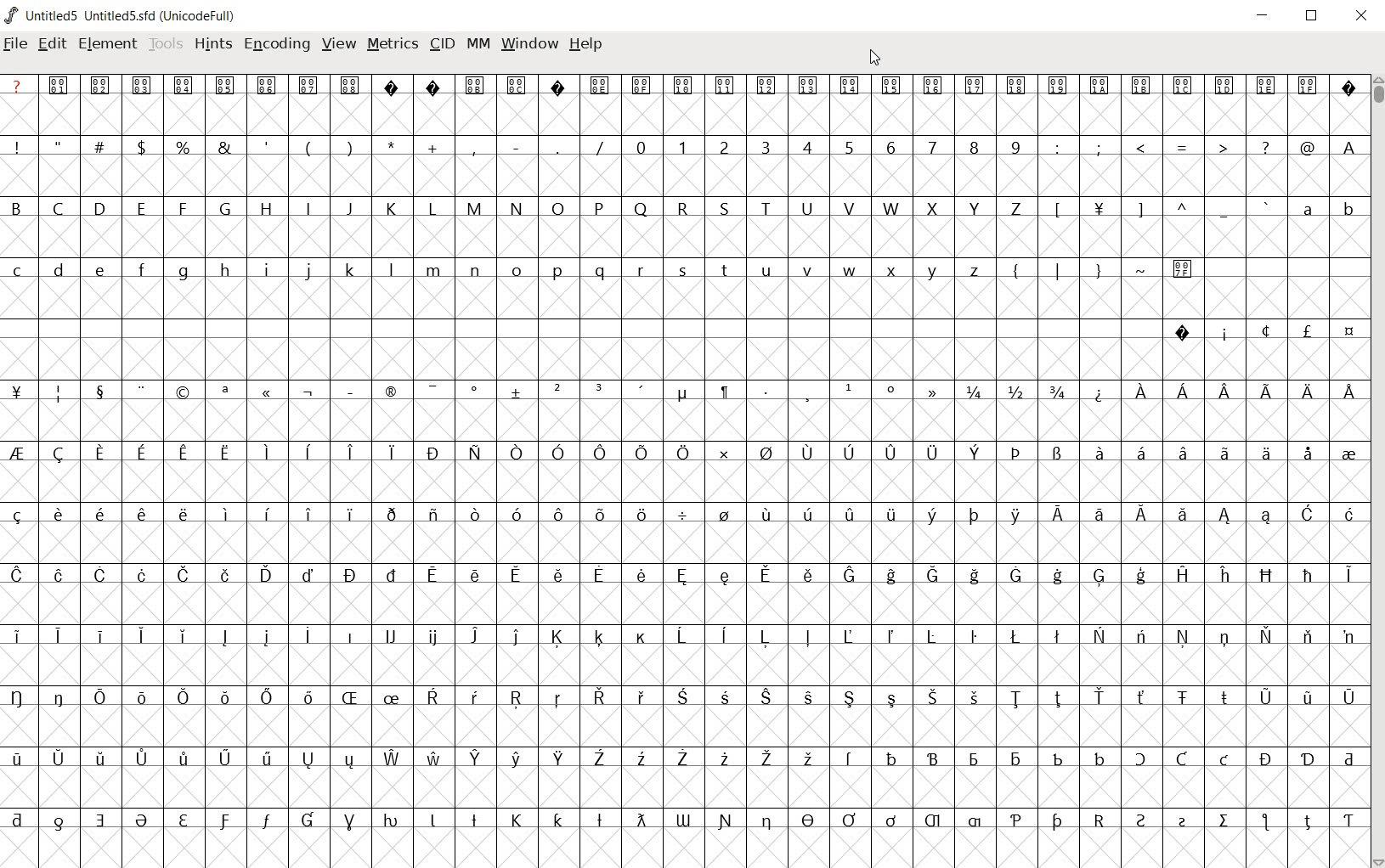  Describe the element at coordinates (350, 759) in the screenshot. I see `Symbol` at that location.